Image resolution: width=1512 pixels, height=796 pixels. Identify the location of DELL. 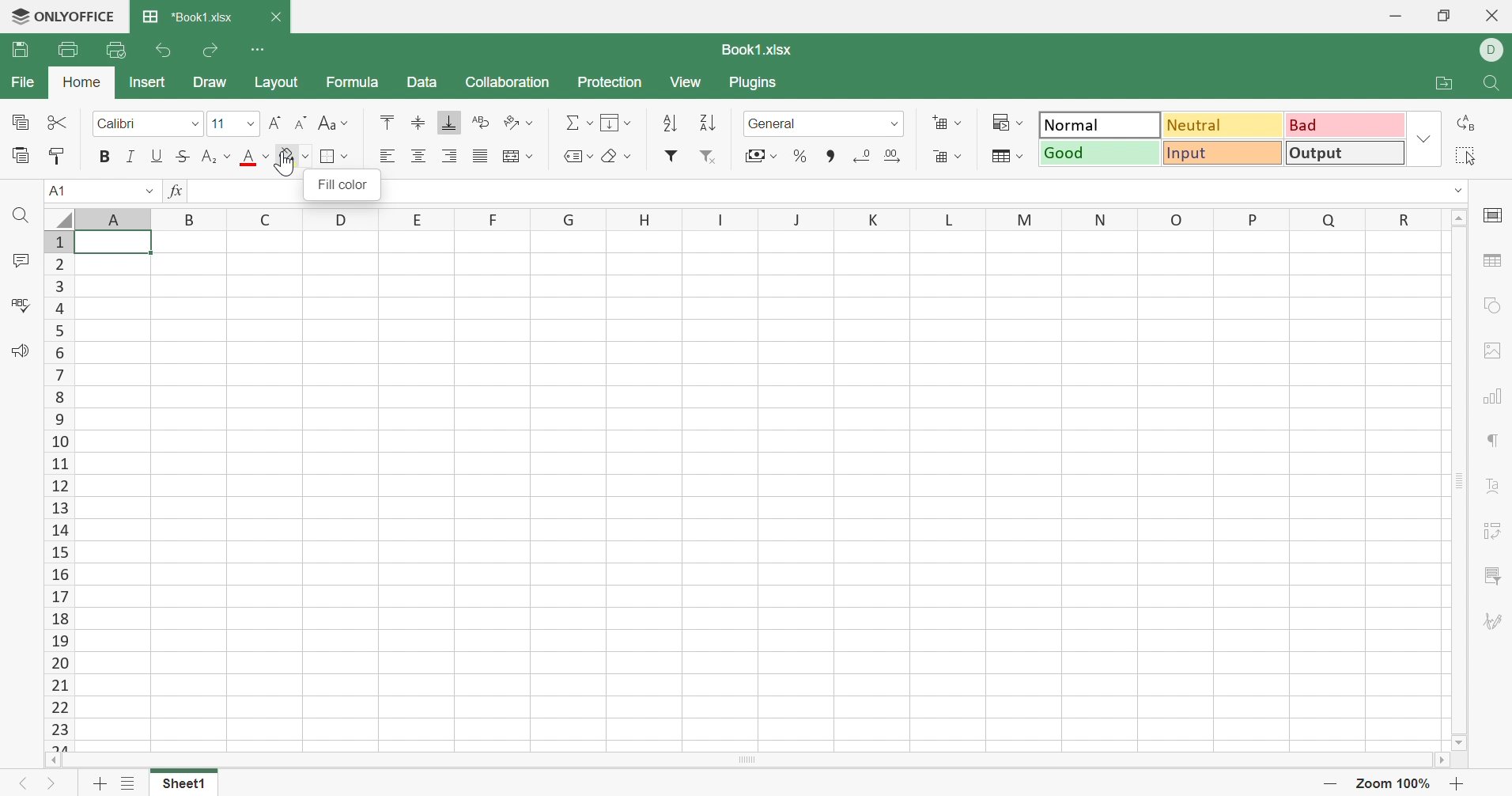
(1492, 48).